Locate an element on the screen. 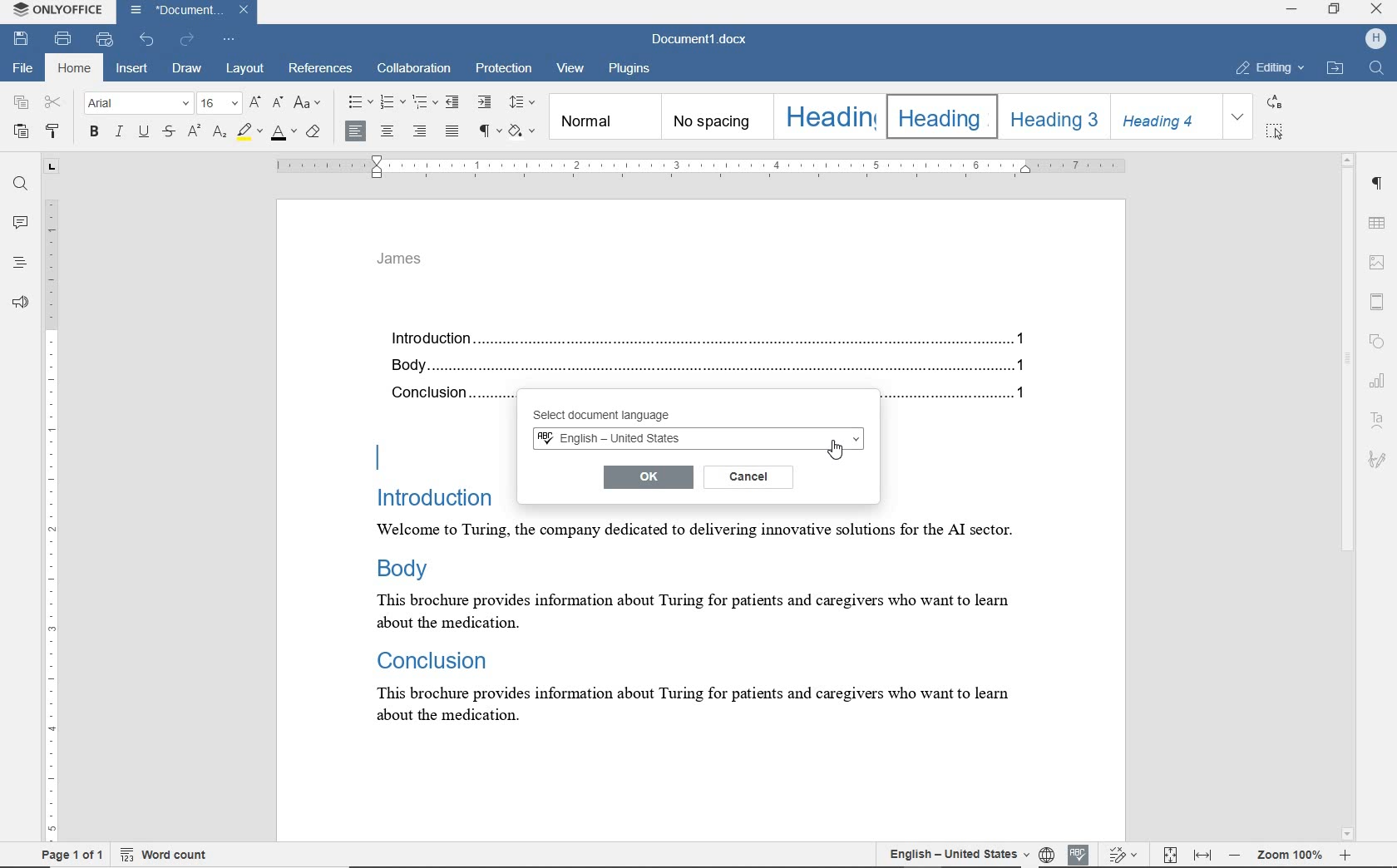 This screenshot has height=868, width=1397. paste is located at coordinates (19, 131).